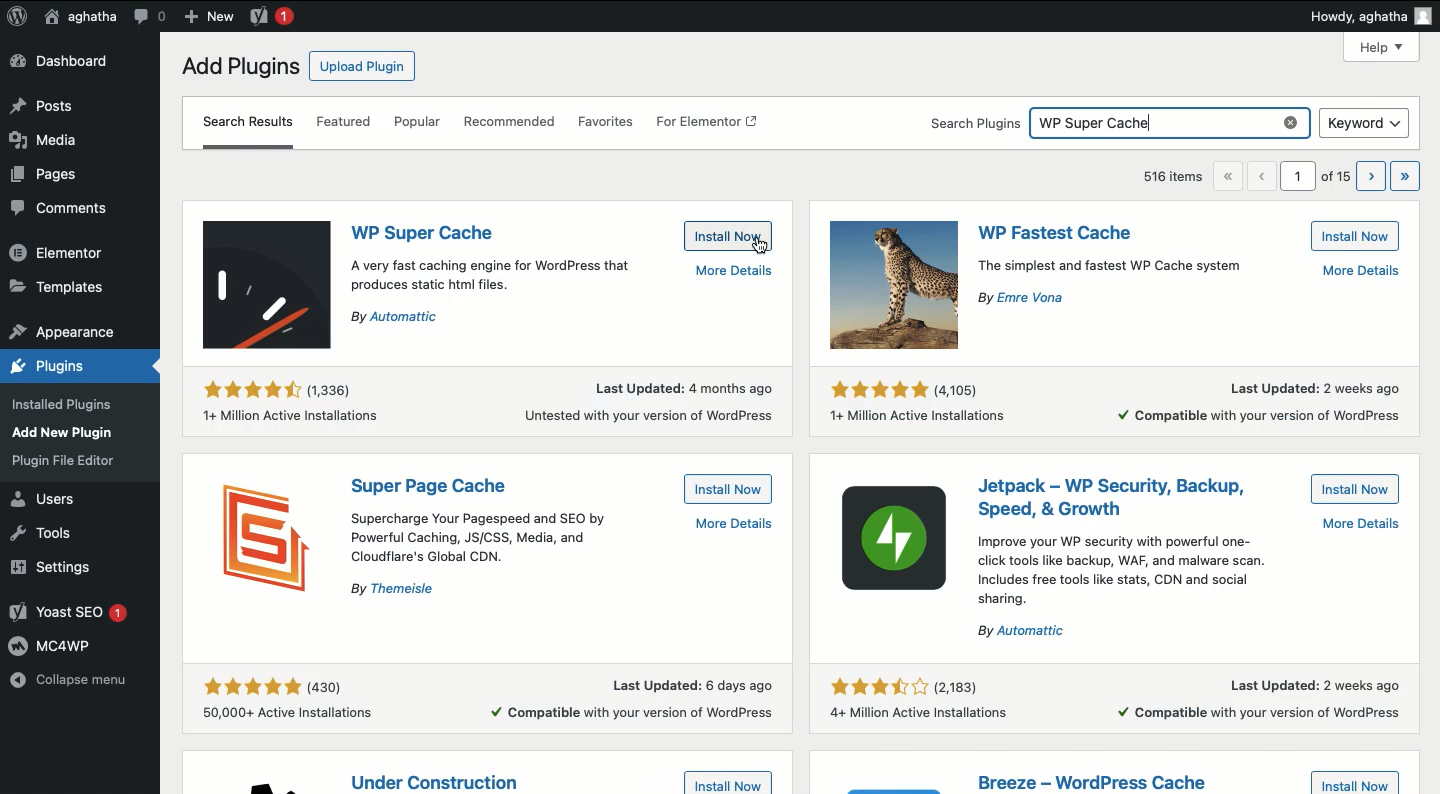 The width and height of the screenshot is (1440, 794). Describe the element at coordinates (1364, 14) in the screenshot. I see `Howdy aghatha` at that location.